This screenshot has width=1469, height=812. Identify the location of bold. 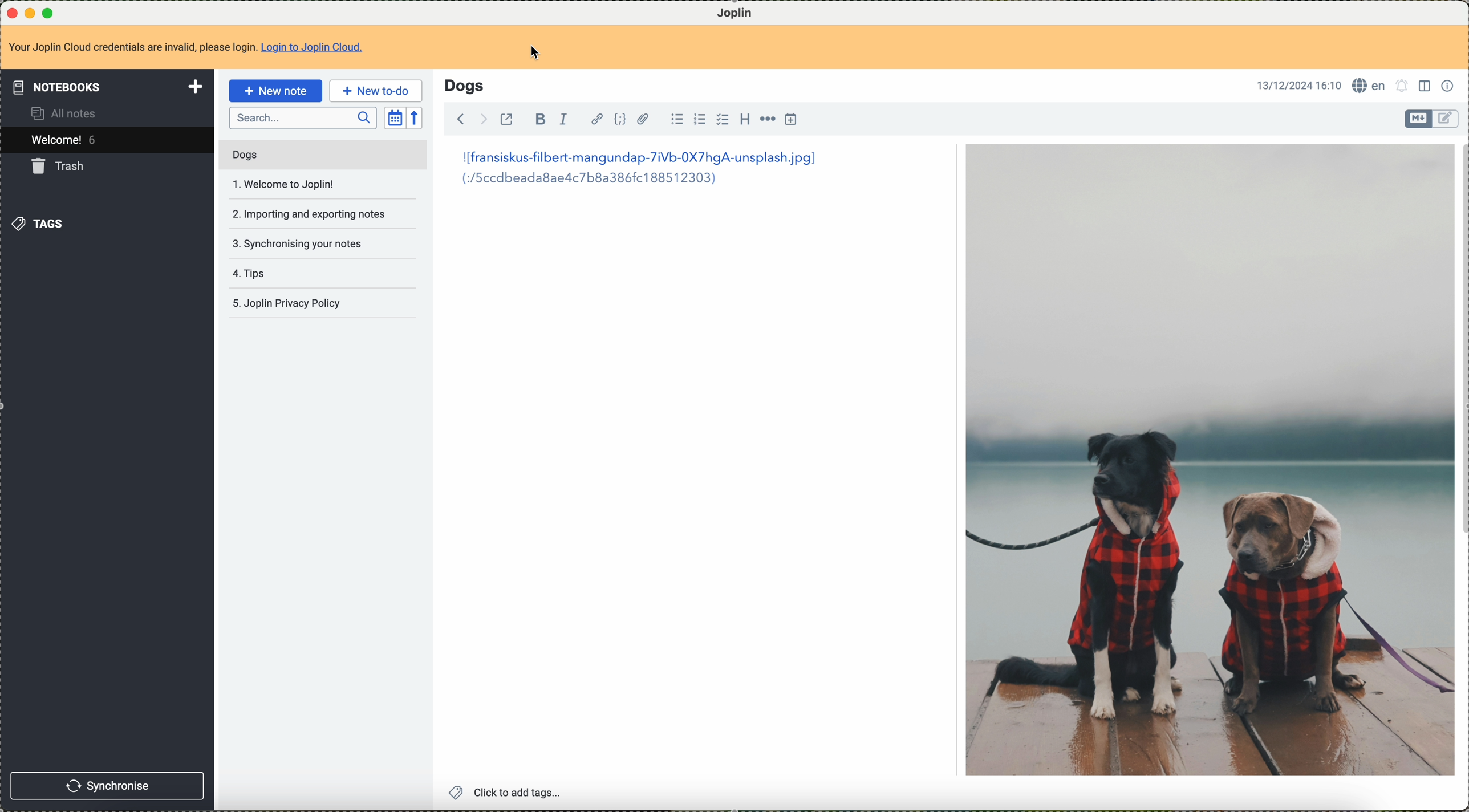
(540, 120).